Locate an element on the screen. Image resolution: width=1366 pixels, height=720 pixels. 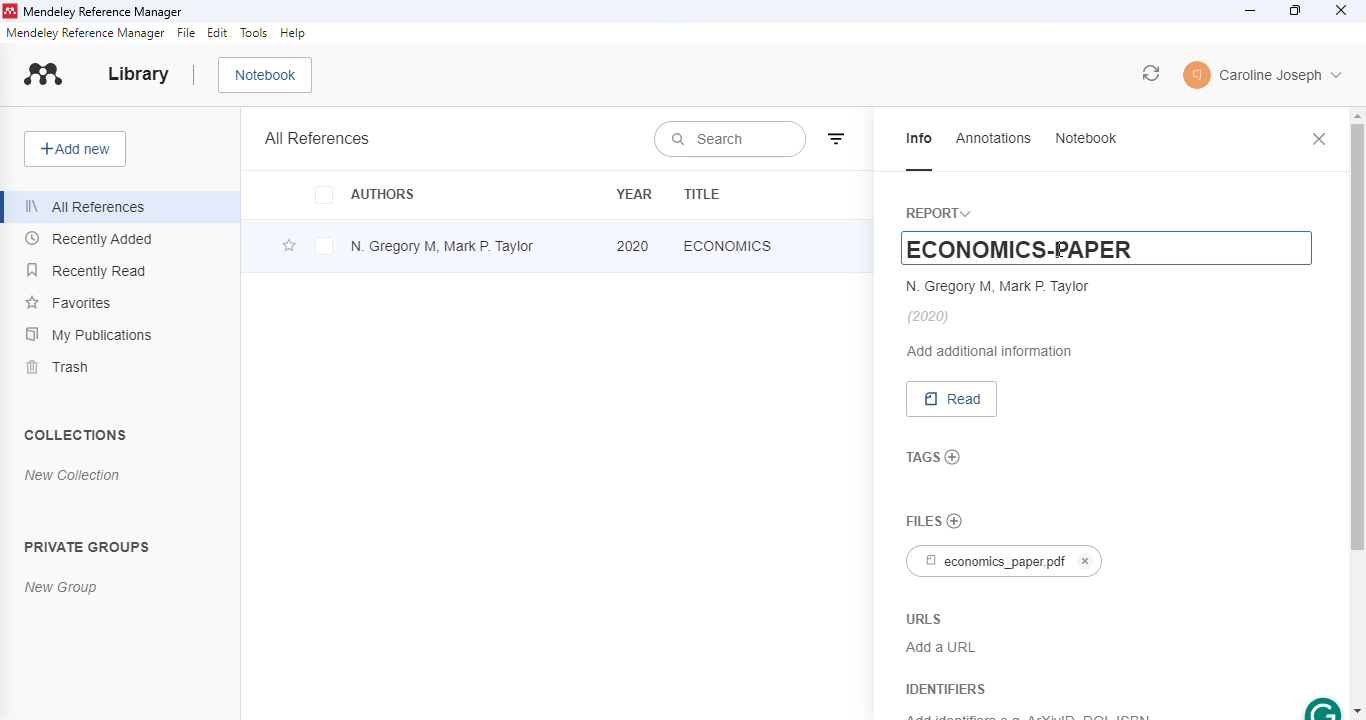
select is located at coordinates (324, 246).